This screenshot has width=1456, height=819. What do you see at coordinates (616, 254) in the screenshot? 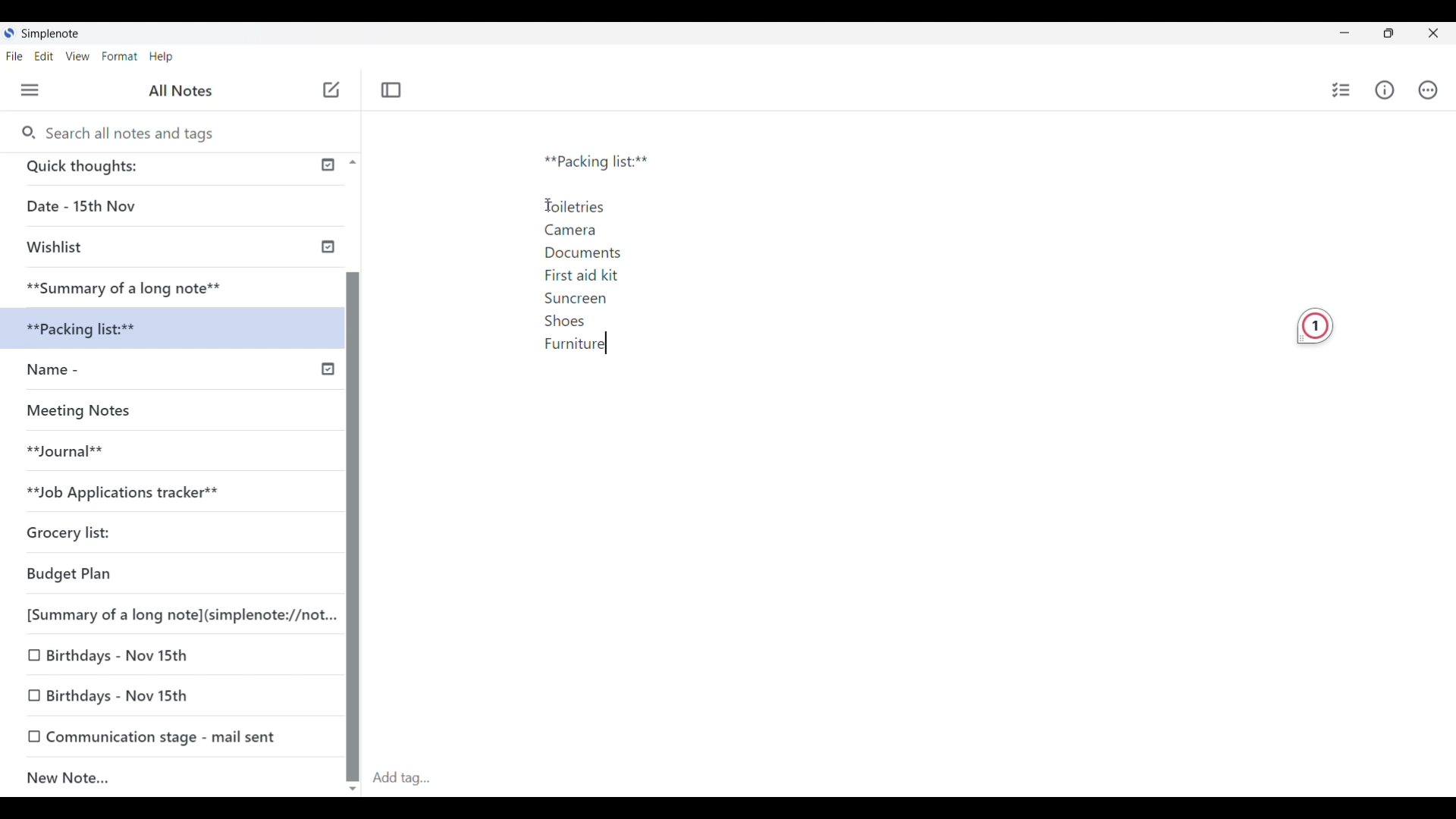
I see `Text pasted` at bounding box center [616, 254].